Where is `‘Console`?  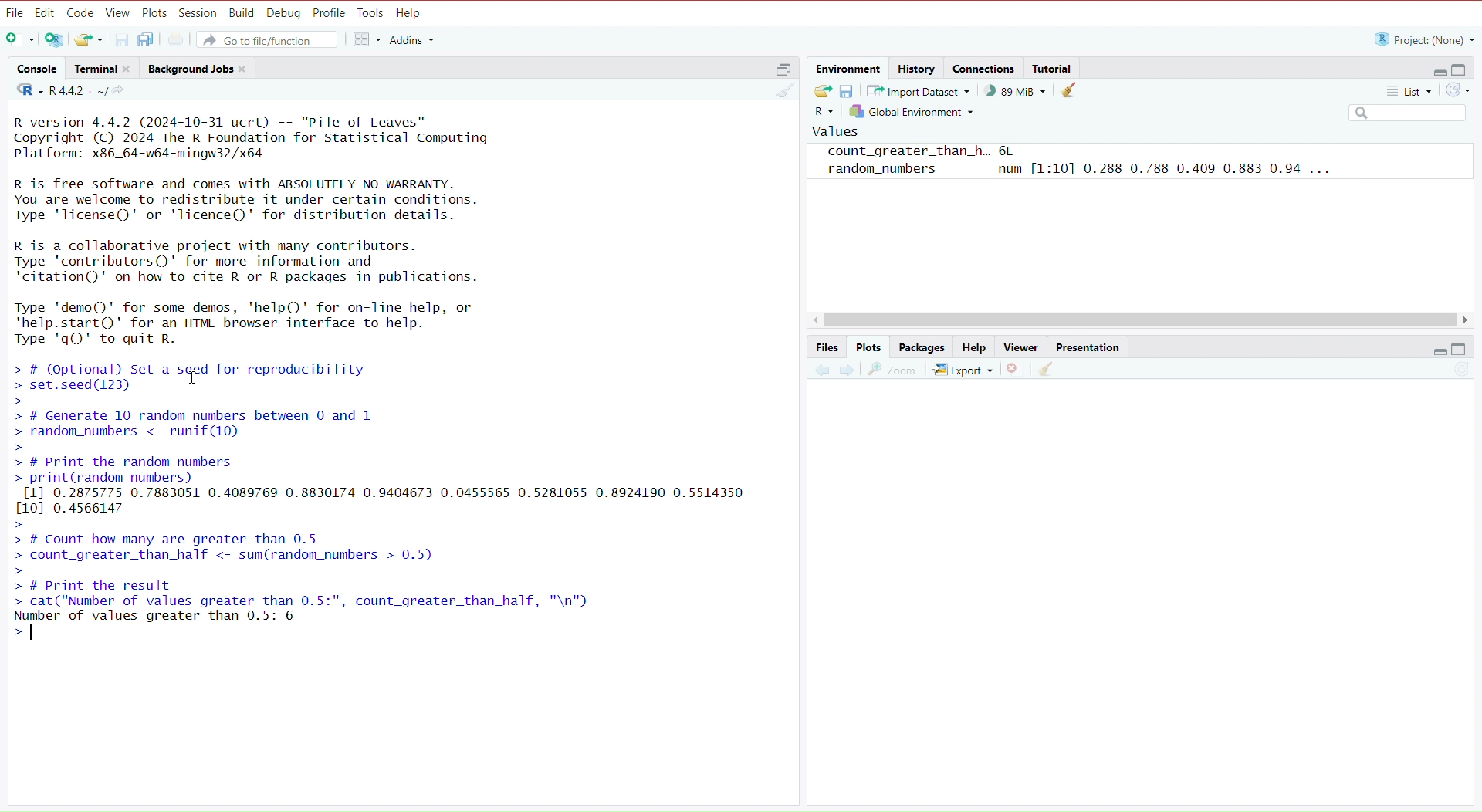 ‘Console is located at coordinates (36, 67).